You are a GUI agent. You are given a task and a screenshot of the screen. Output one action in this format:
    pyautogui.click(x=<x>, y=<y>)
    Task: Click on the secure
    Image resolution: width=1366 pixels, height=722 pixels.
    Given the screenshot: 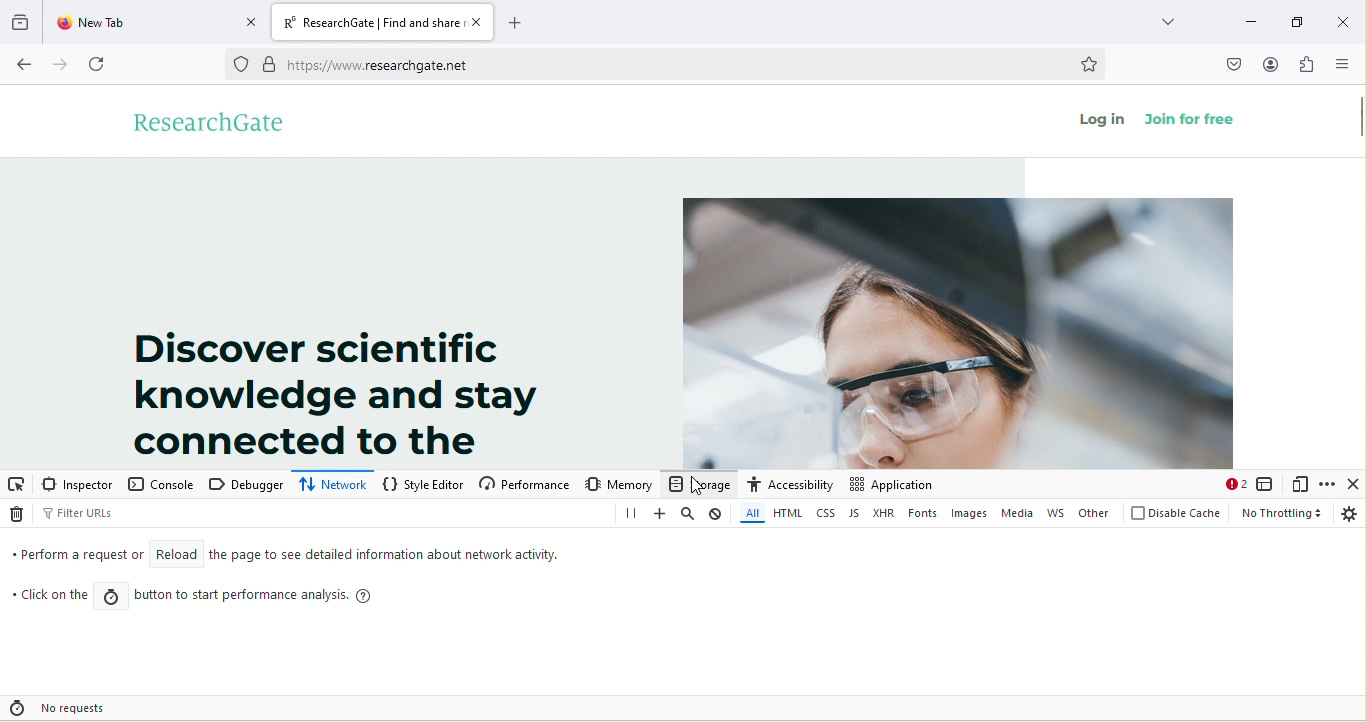 What is the action you would take?
    pyautogui.click(x=268, y=65)
    